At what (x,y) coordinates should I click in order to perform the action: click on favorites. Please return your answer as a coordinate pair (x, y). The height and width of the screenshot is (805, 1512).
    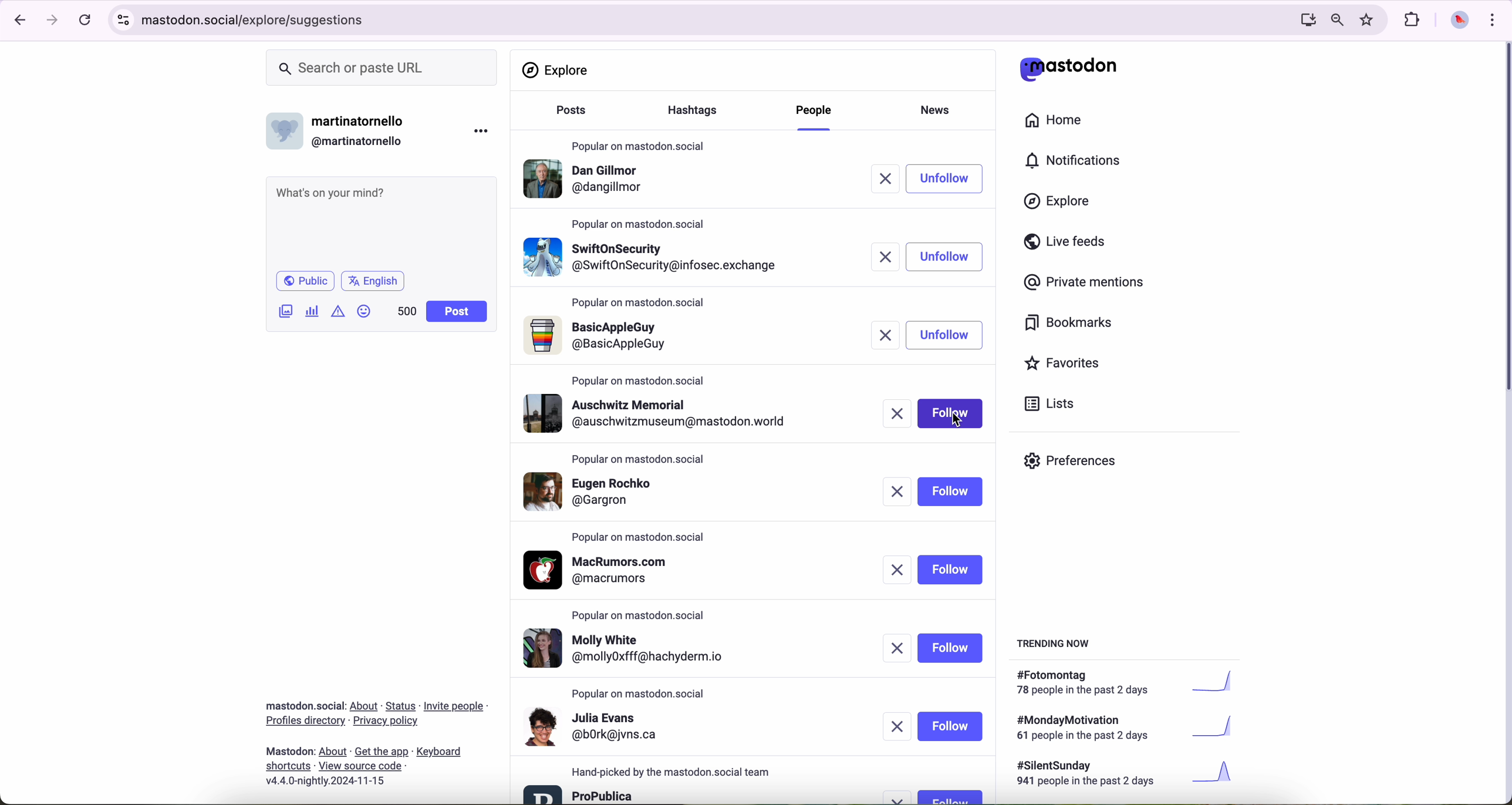
    Looking at the image, I should click on (1369, 20).